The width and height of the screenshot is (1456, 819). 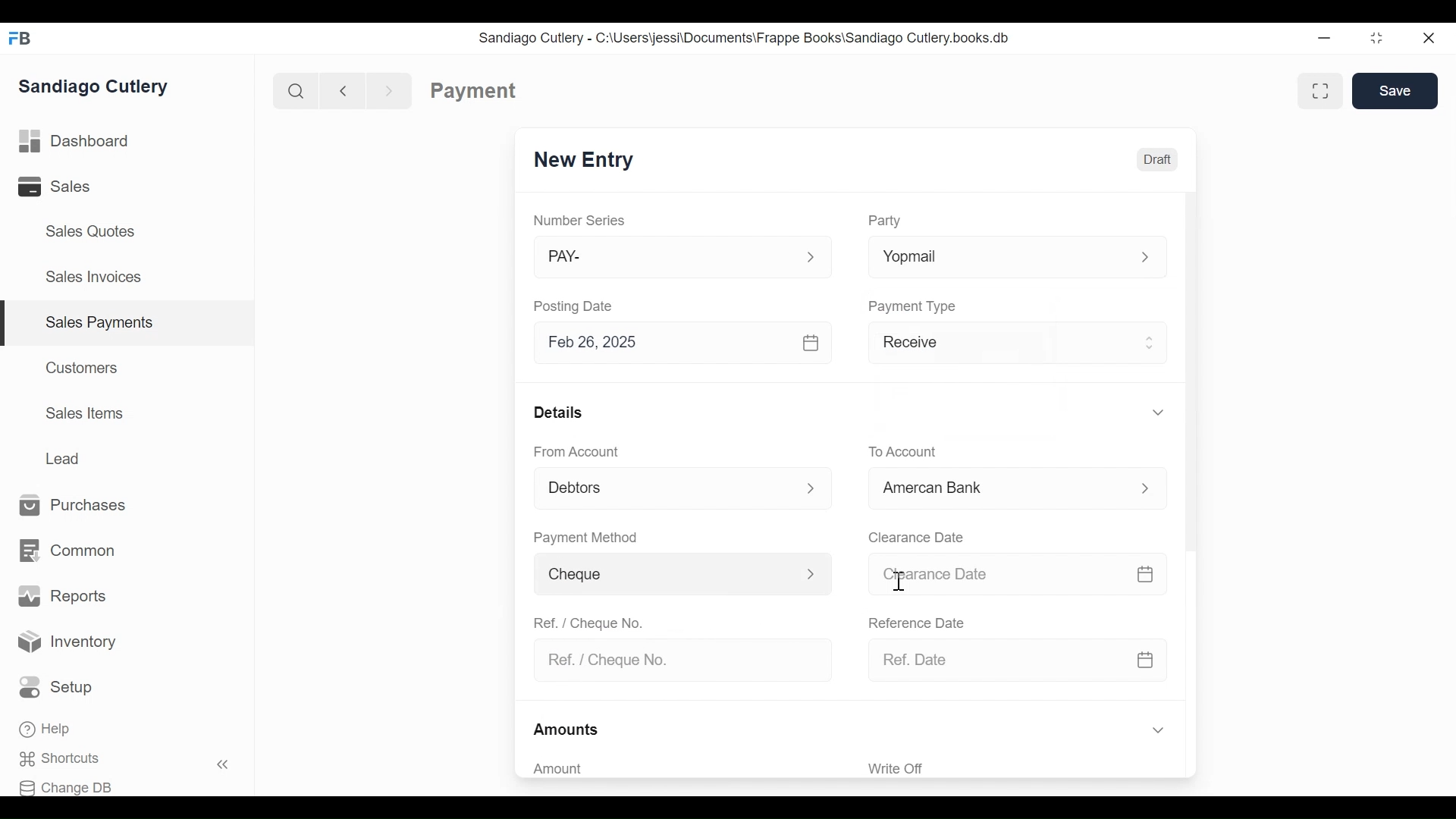 I want to click on Navigate Back, so click(x=340, y=90).